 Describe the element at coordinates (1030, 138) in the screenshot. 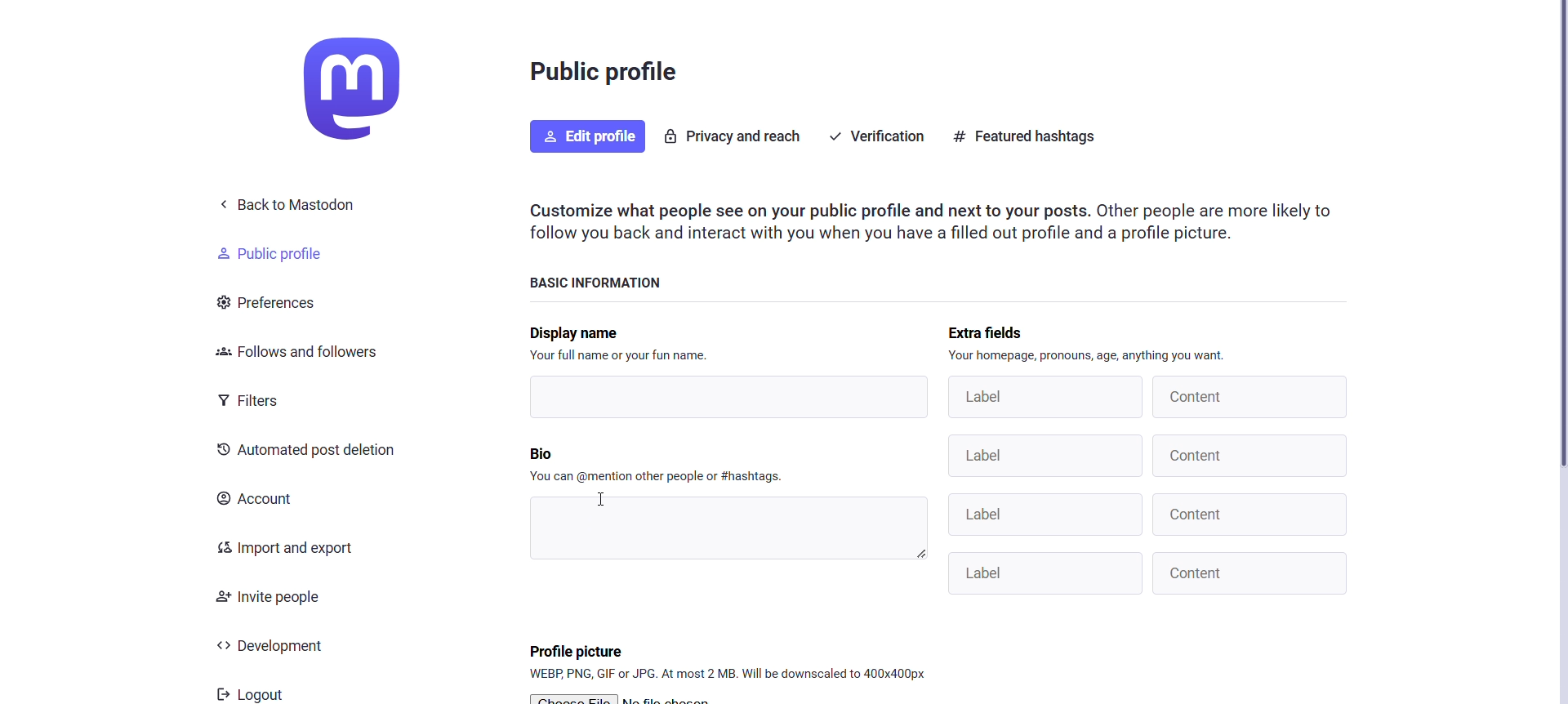

I see `Featured hashtags` at that location.